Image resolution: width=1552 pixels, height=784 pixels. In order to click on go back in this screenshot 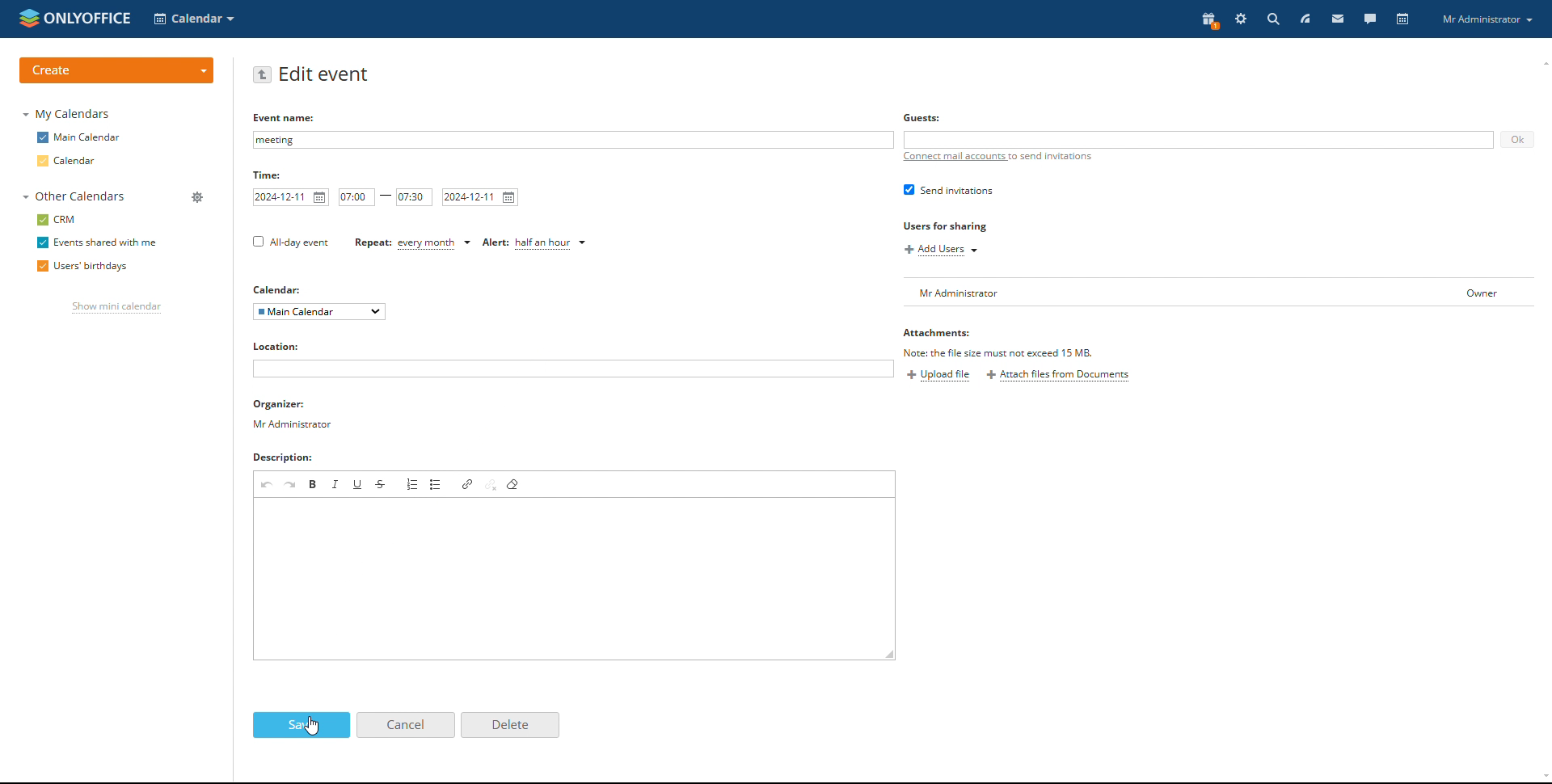, I will do `click(263, 75)`.